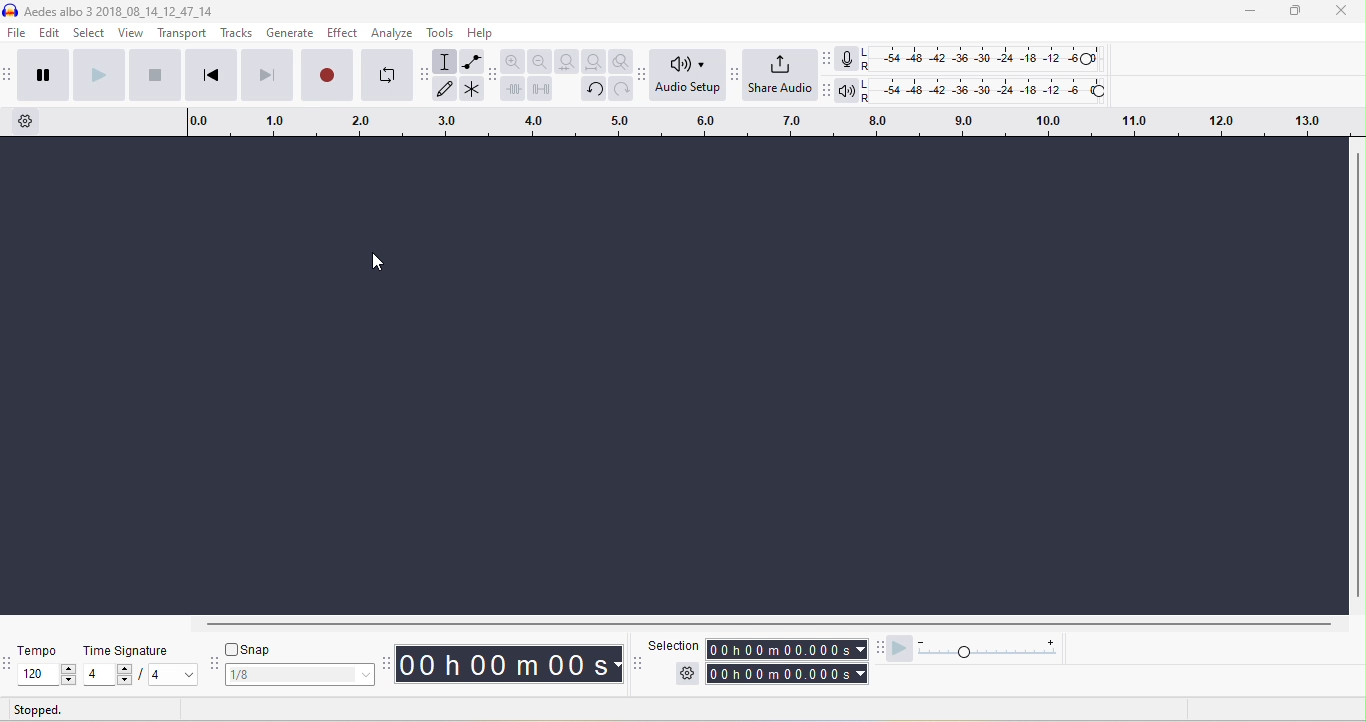  What do you see at coordinates (9, 74) in the screenshot?
I see `audacity transport toolbar` at bounding box center [9, 74].